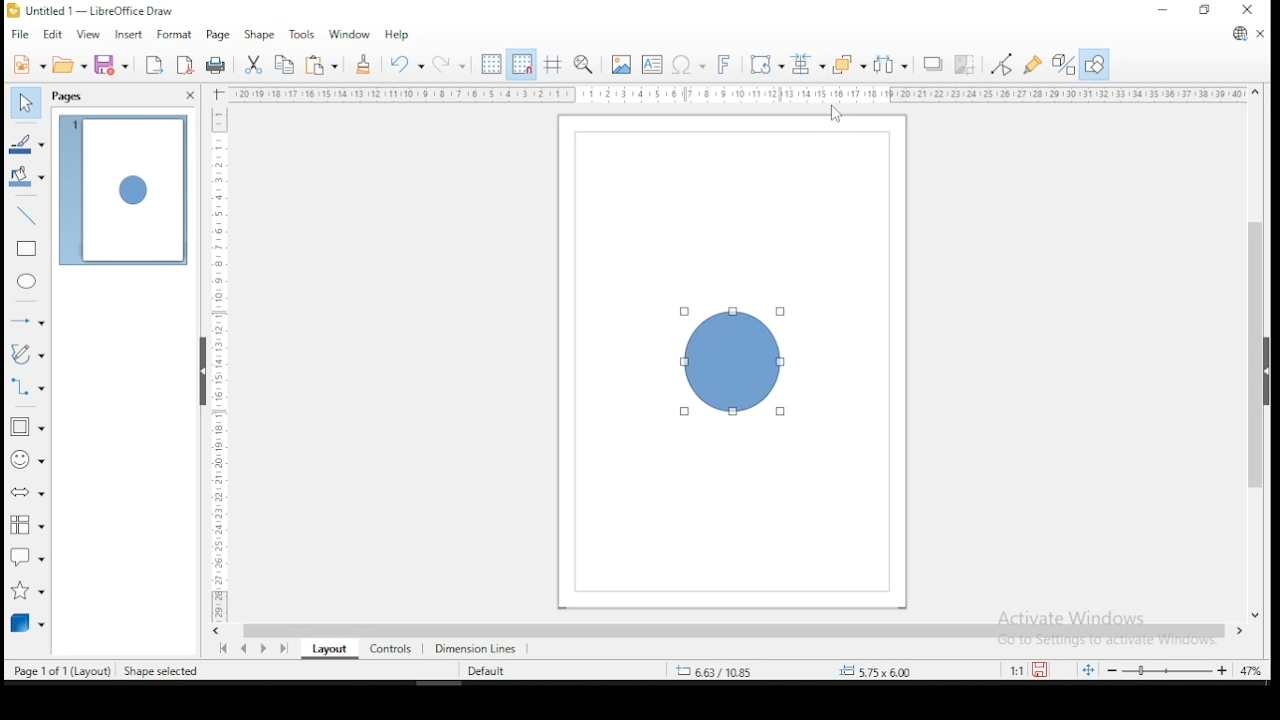 The width and height of the screenshot is (1280, 720). Describe the element at coordinates (486, 672) in the screenshot. I see `default` at that location.